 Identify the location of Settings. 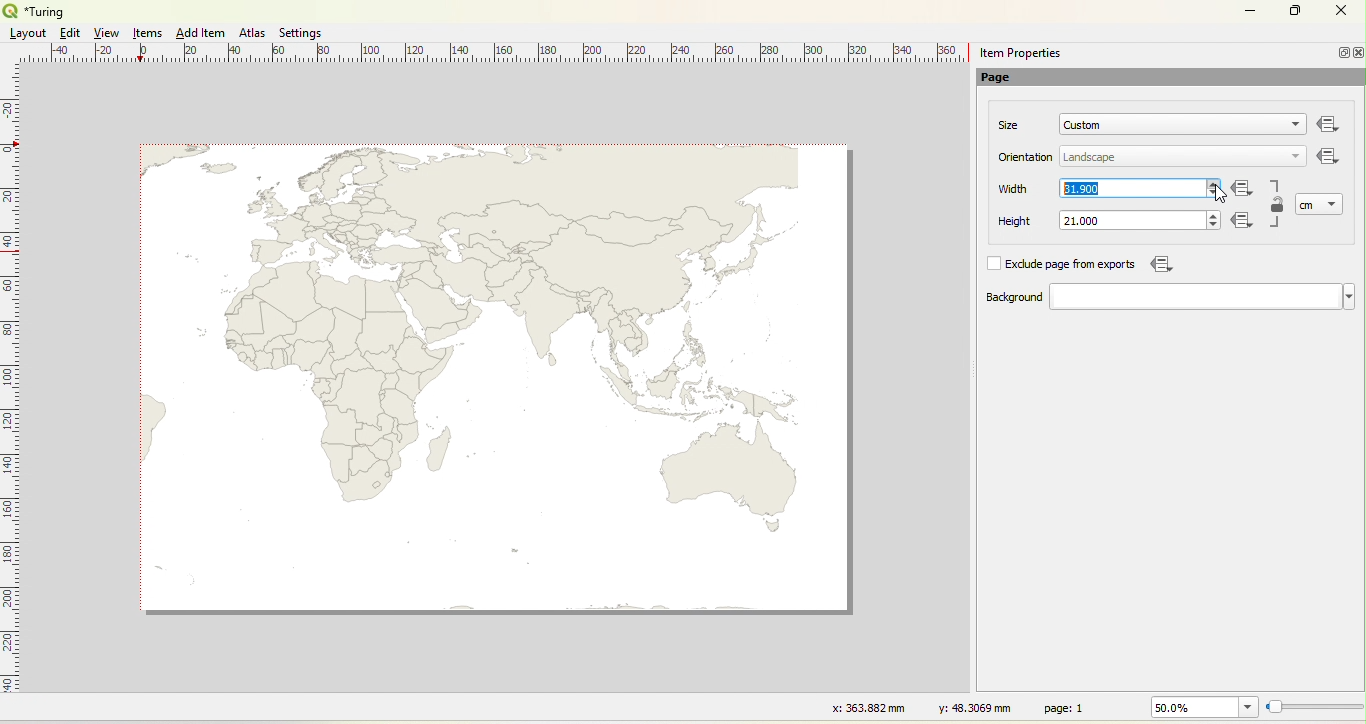
(302, 33).